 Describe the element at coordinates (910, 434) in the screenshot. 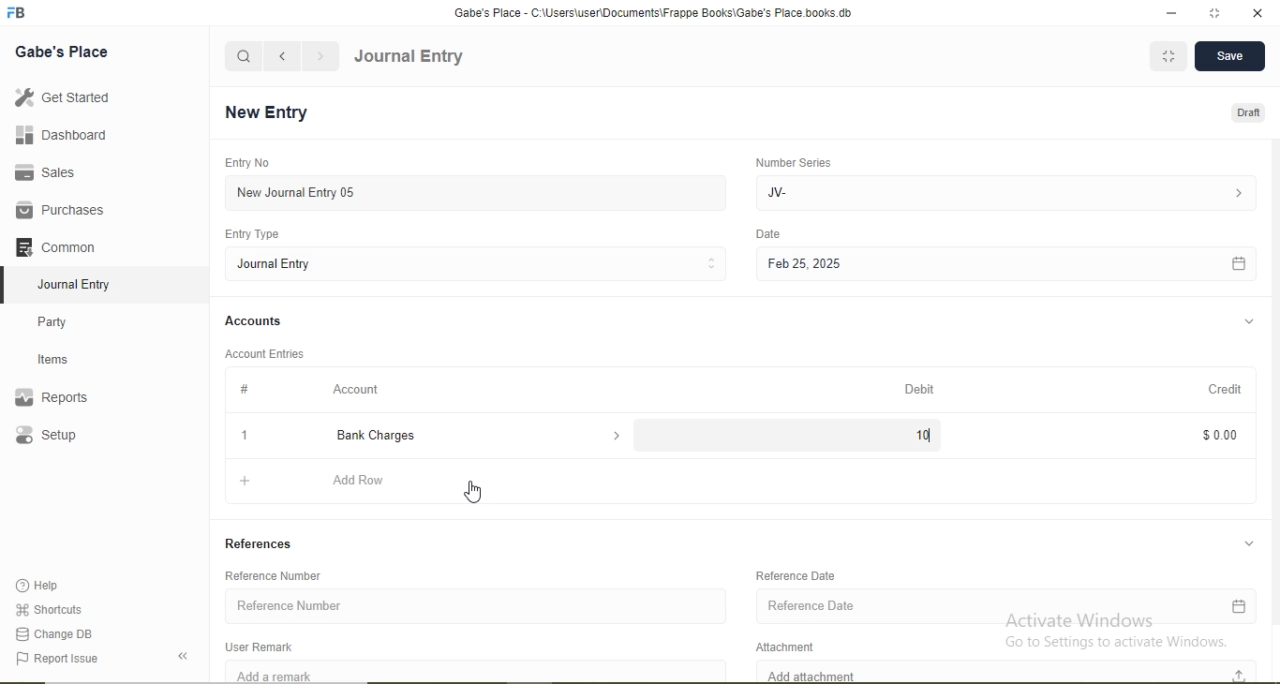

I see `10` at that location.